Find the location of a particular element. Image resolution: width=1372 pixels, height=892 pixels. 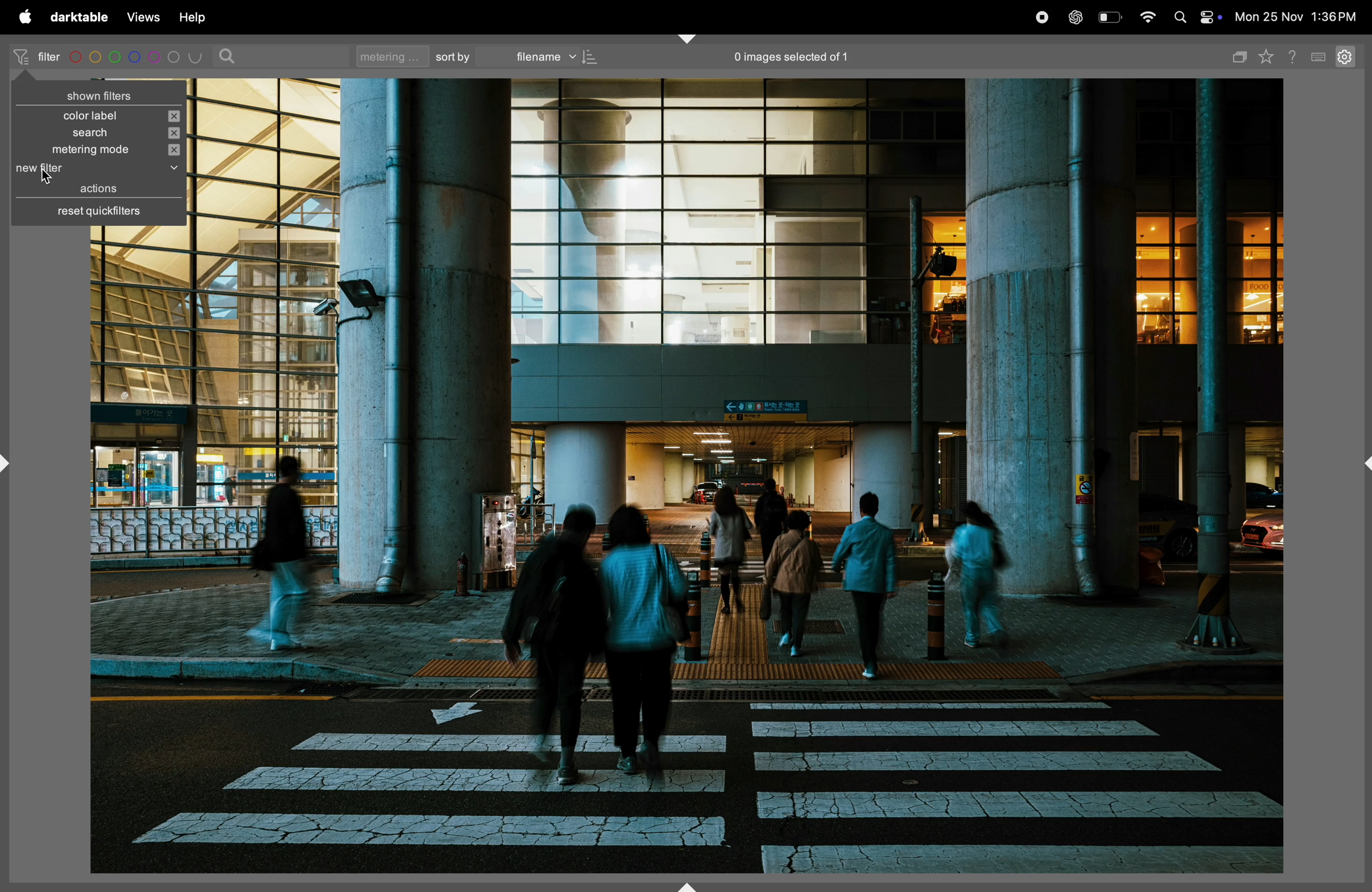

file name is located at coordinates (554, 56).